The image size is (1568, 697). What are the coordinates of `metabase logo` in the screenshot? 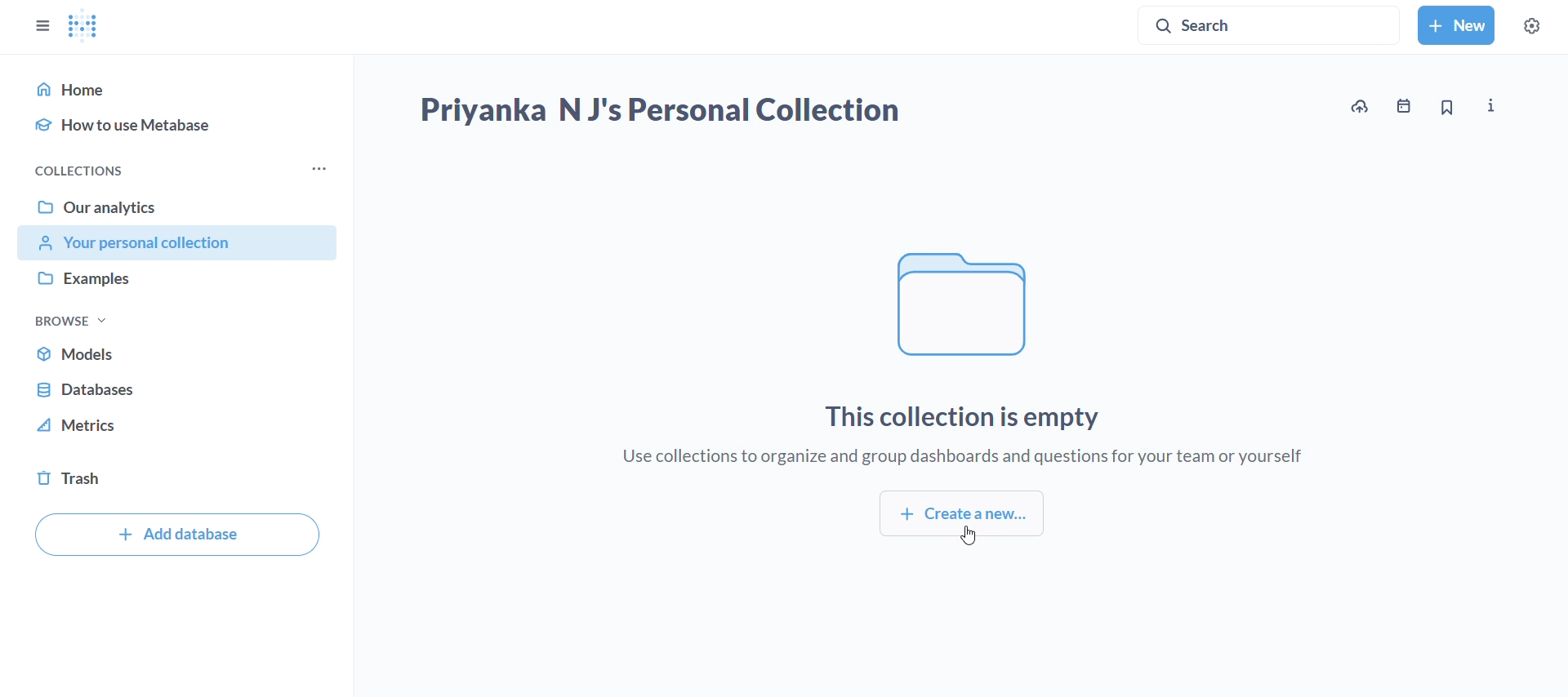 It's located at (84, 25).